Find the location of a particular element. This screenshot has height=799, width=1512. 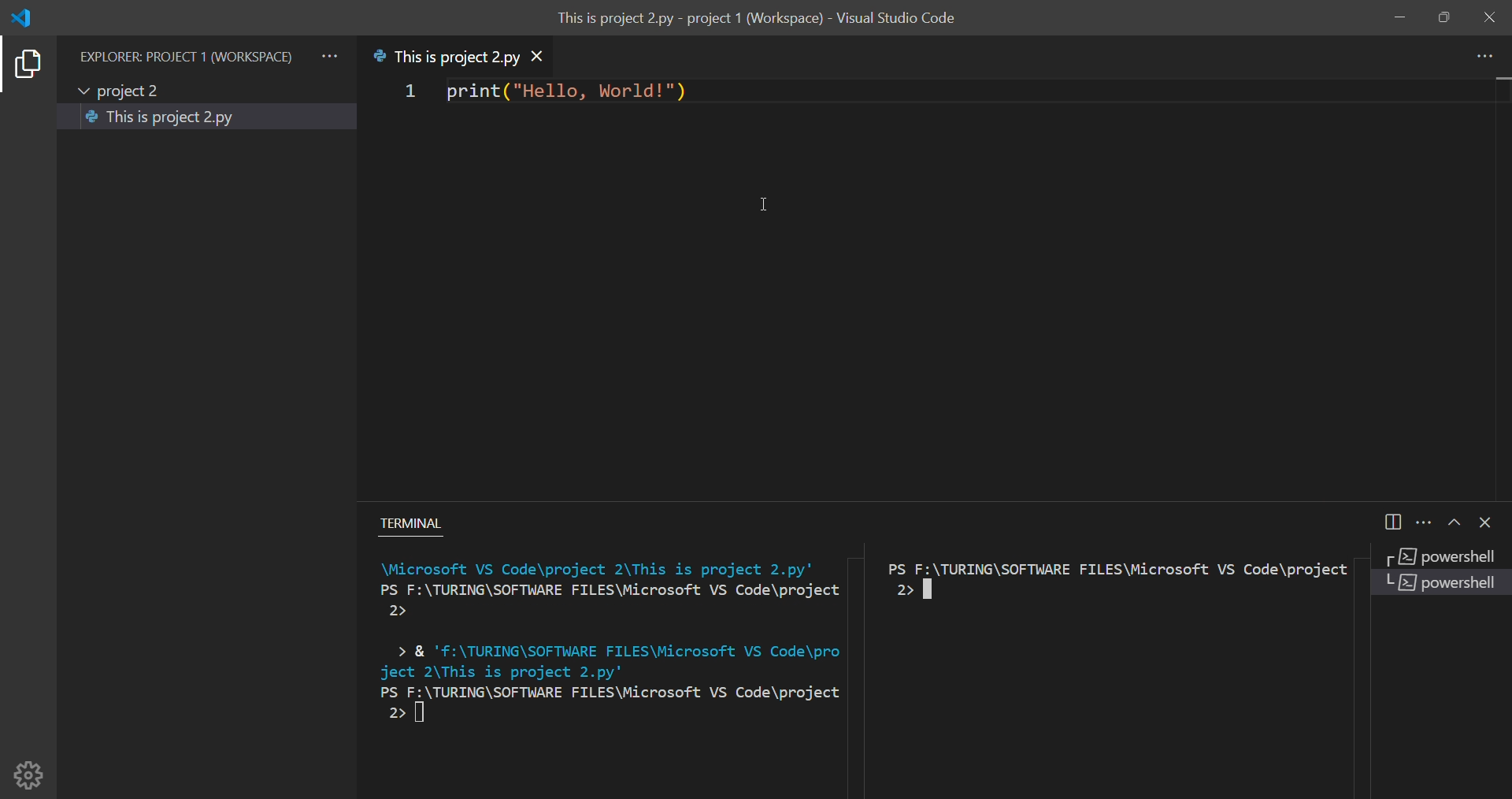

close is located at coordinates (1490, 16).